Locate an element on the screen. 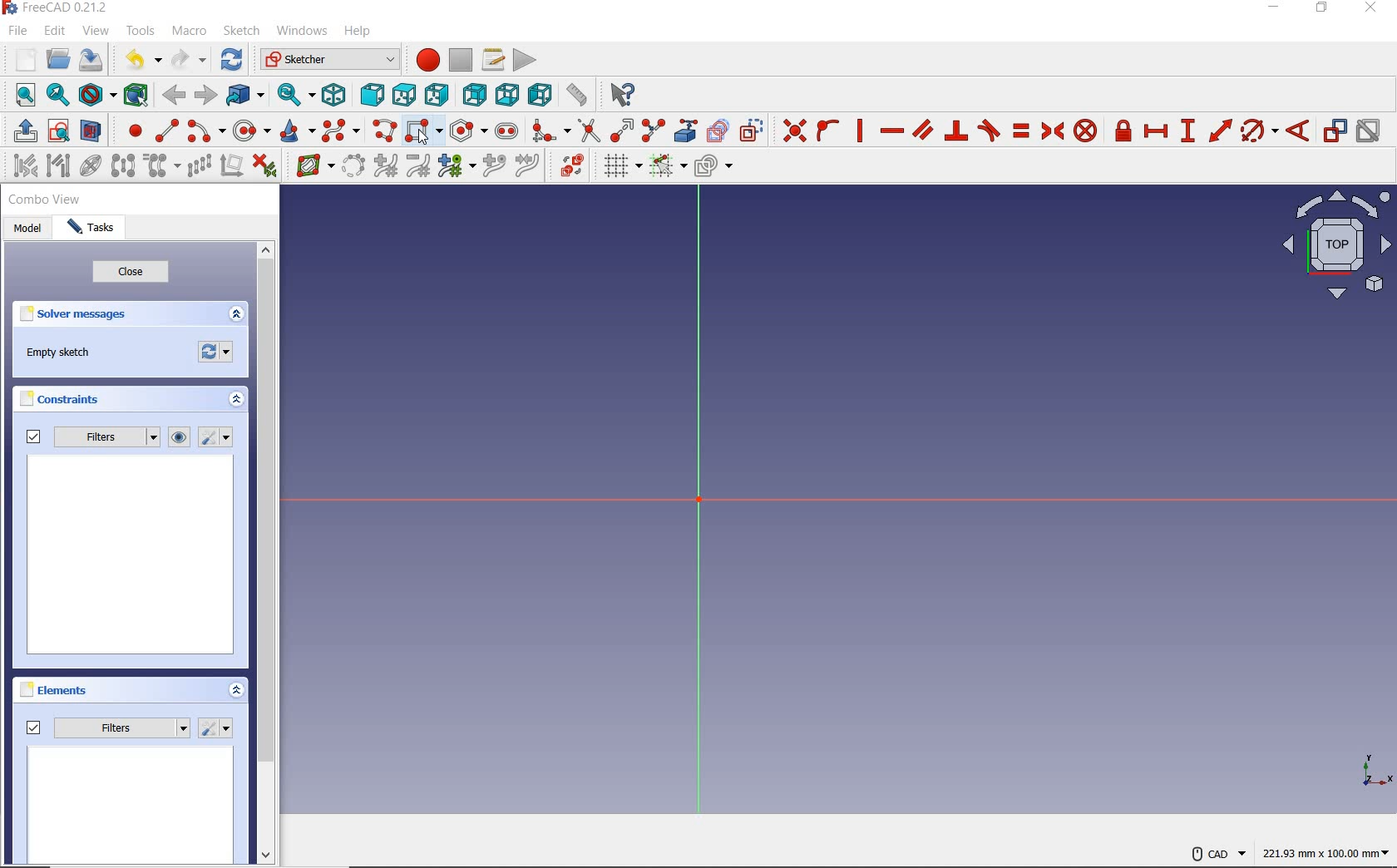 The height and width of the screenshot is (868, 1397). delete all constraints is located at coordinates (264, 167).